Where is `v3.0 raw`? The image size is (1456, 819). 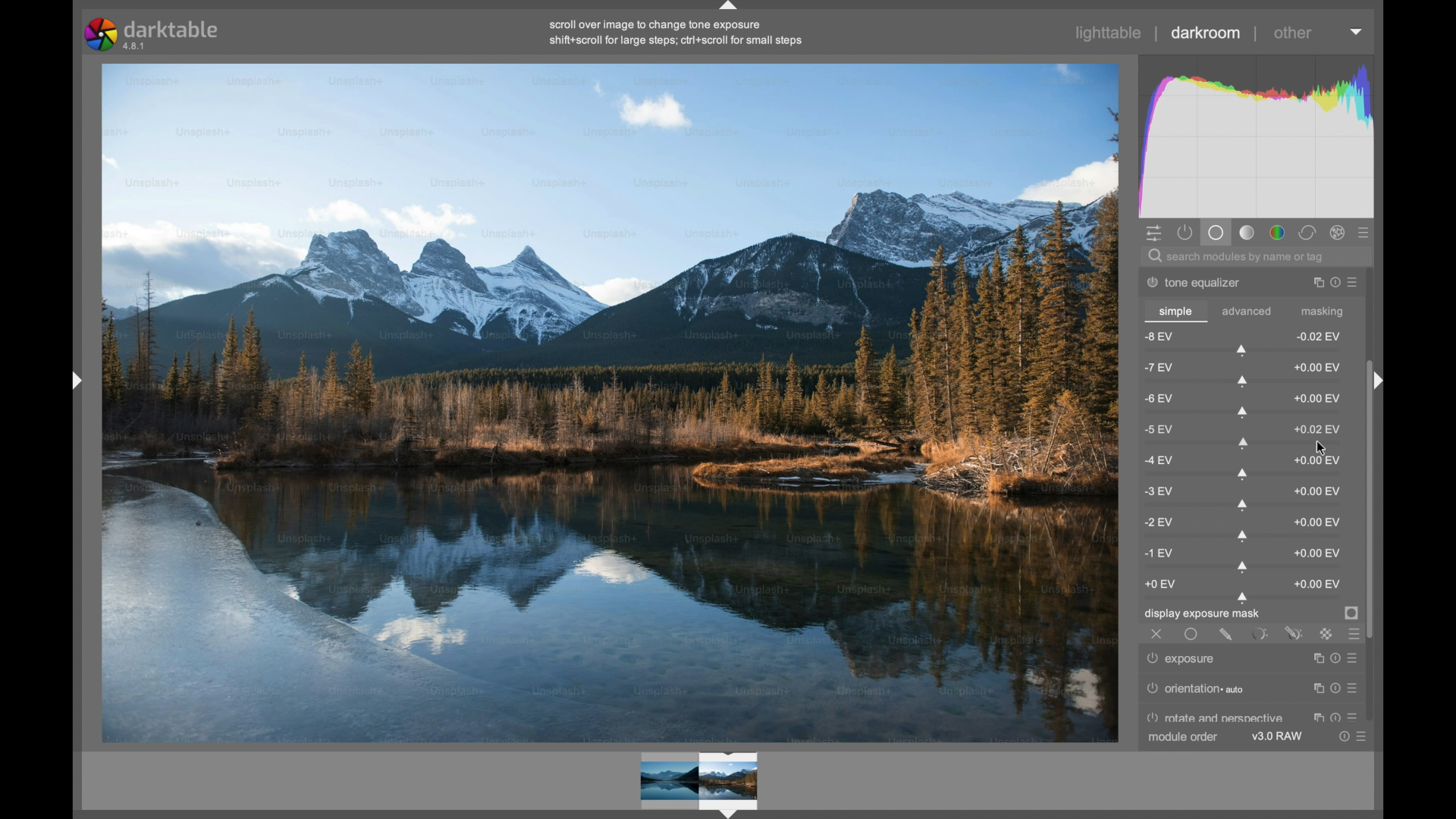 v3.0 raw is located at coordinates (1277, 736).